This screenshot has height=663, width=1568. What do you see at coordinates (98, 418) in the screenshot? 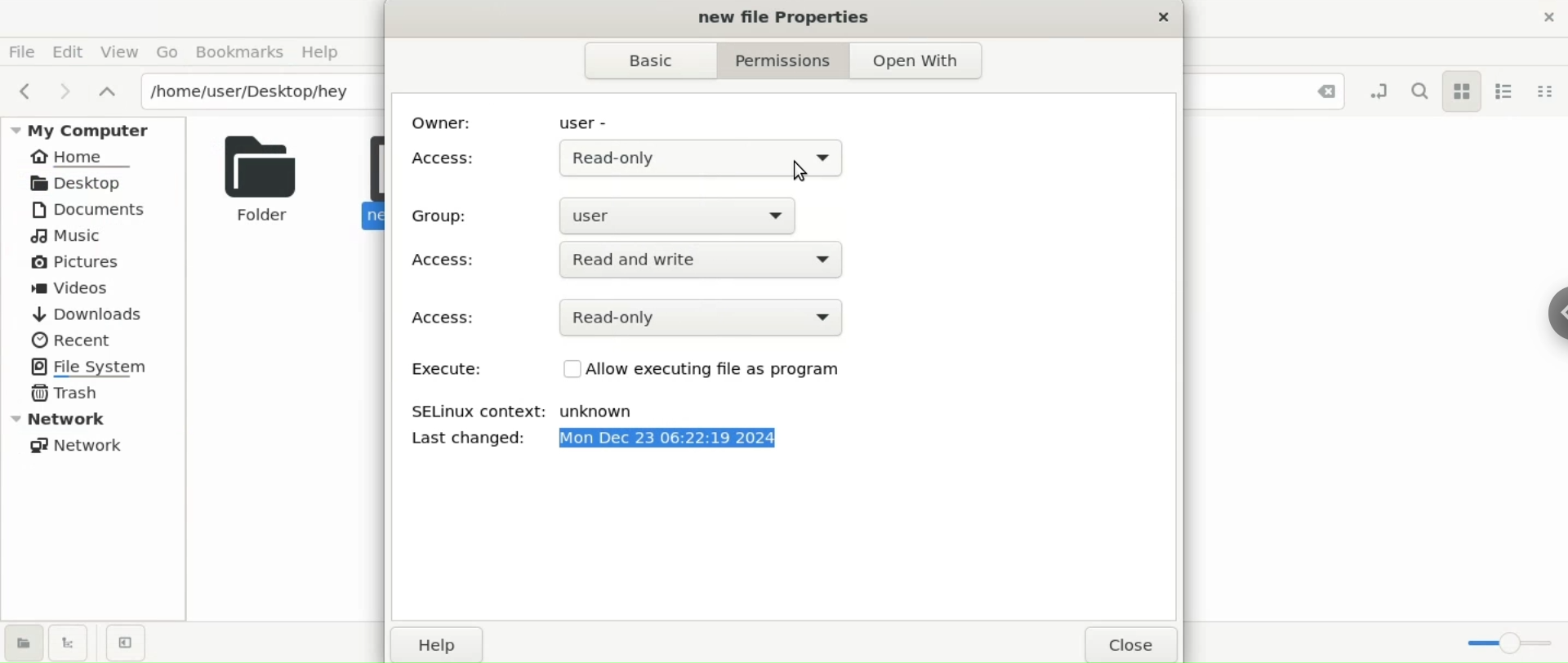
I see `Network` at bounding box center [98, 418].